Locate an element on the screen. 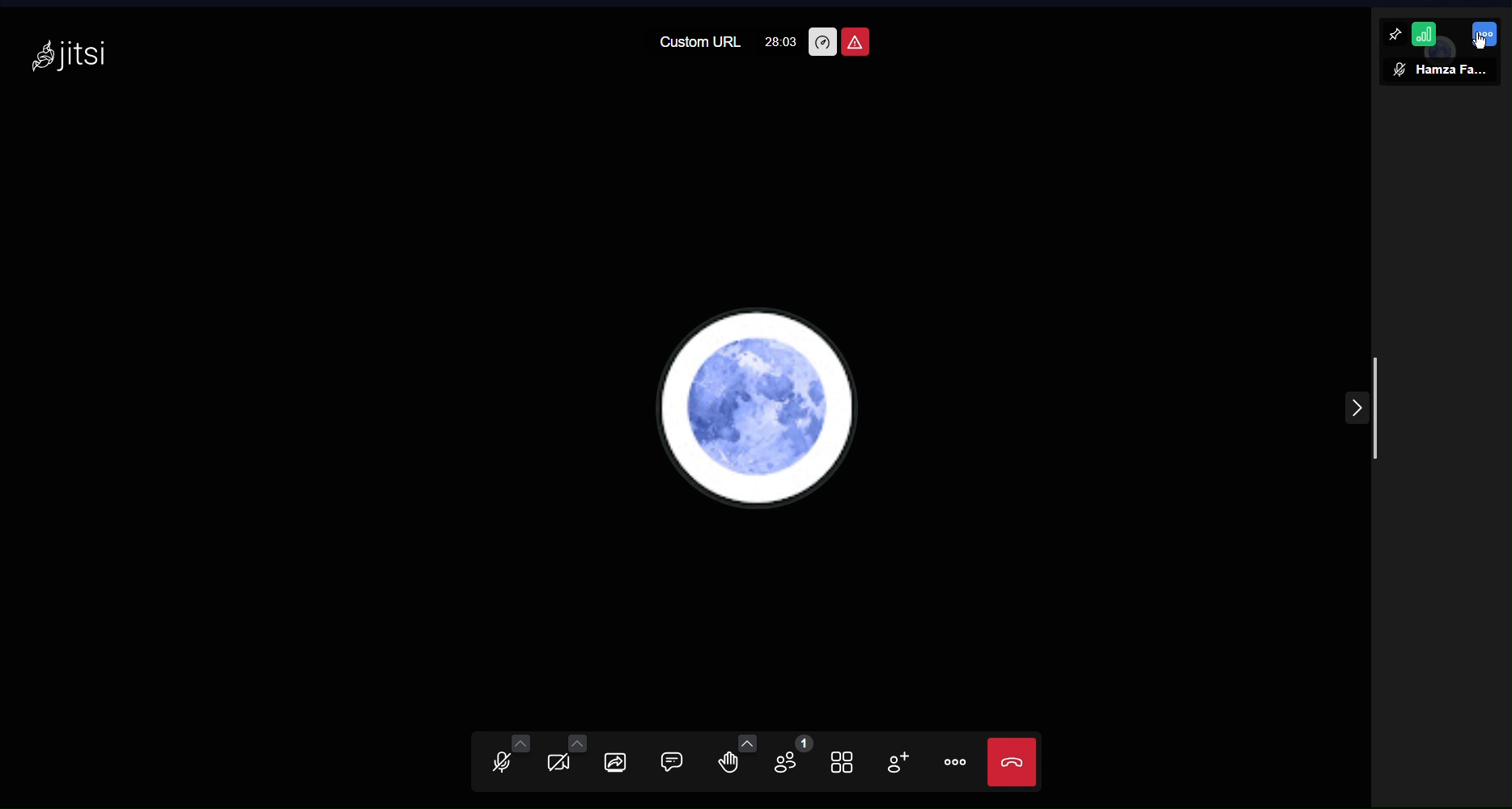 This screenshot has height=809, width=1512. Raise Hand is located at coordinates (737, 760).